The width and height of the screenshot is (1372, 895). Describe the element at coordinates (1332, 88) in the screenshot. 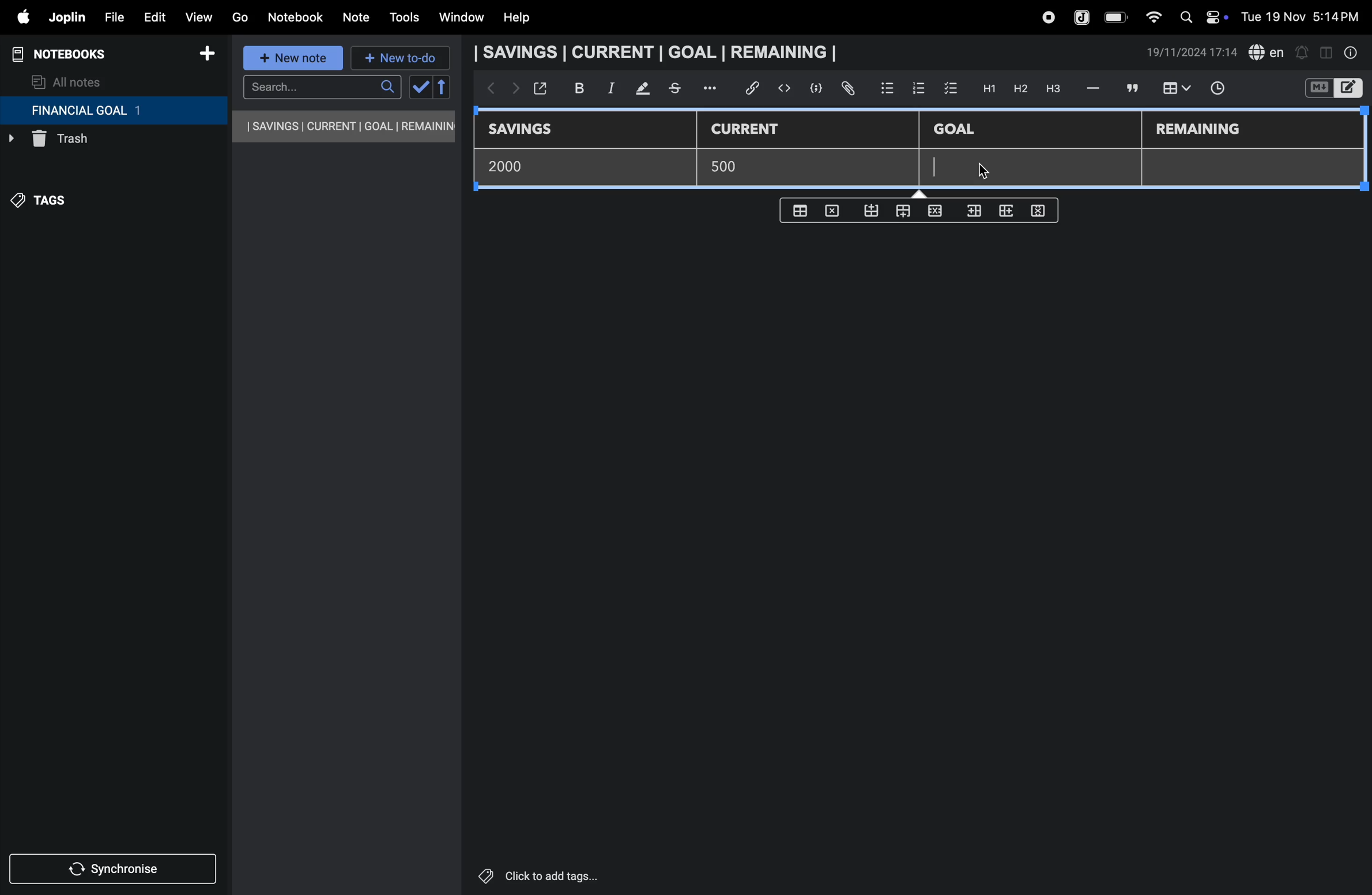

I see `switch editor` at that location.